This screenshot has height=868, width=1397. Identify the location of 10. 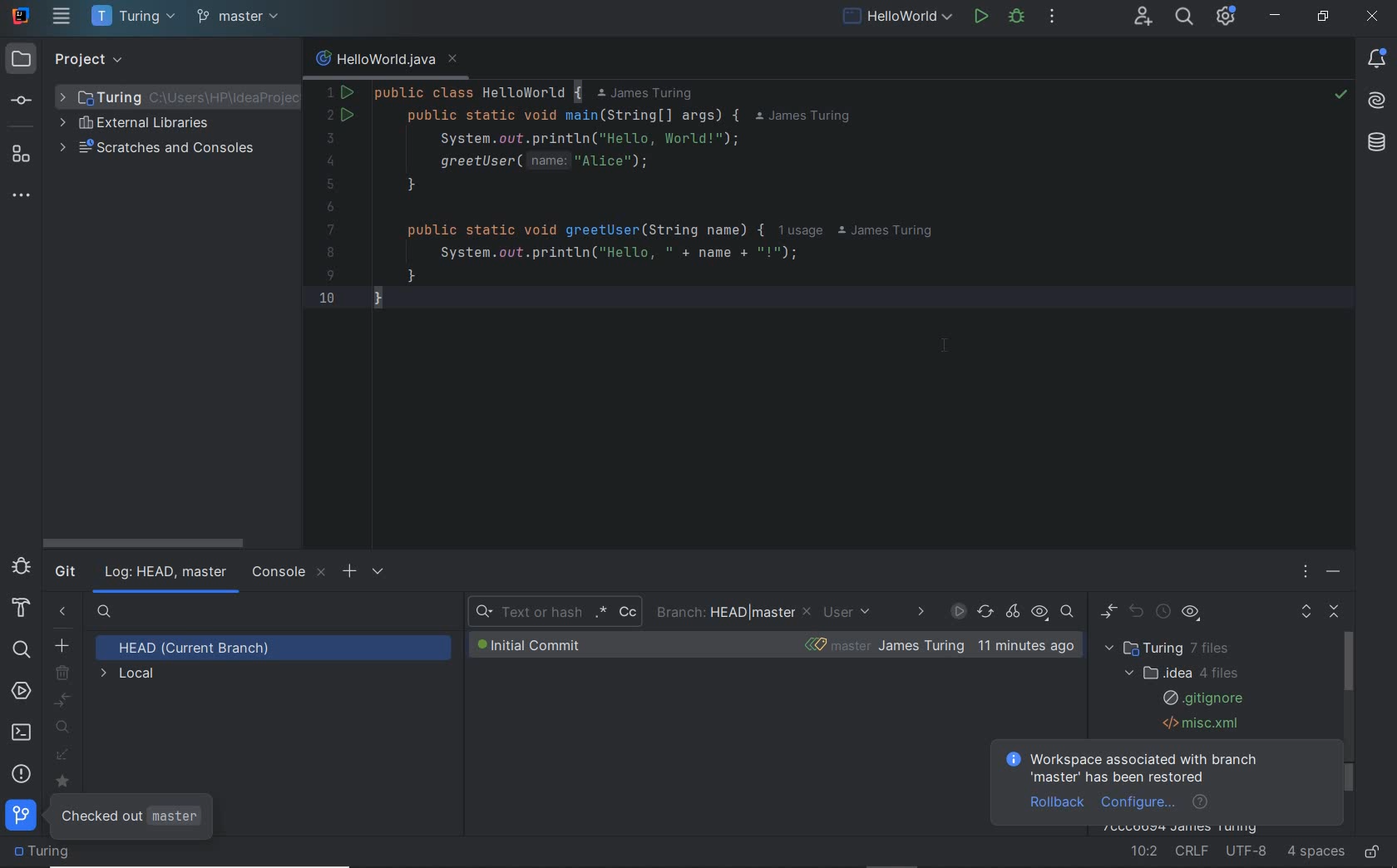
(327, 297).